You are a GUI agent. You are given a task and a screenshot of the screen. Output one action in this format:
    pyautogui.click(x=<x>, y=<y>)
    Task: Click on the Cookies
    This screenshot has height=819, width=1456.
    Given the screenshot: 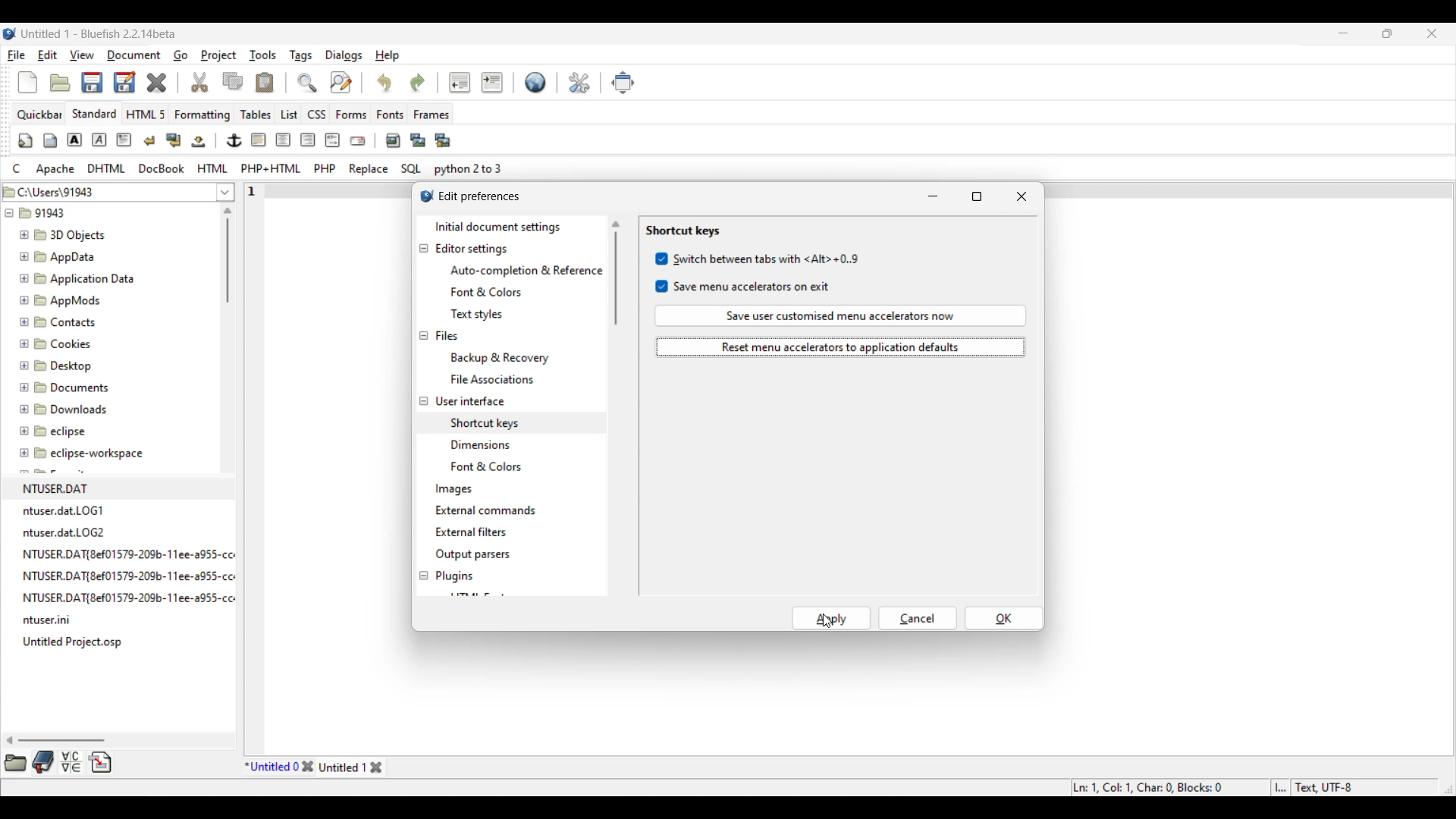 What is the action you would take?
    pyautogui.click(x=57, y=343)
    